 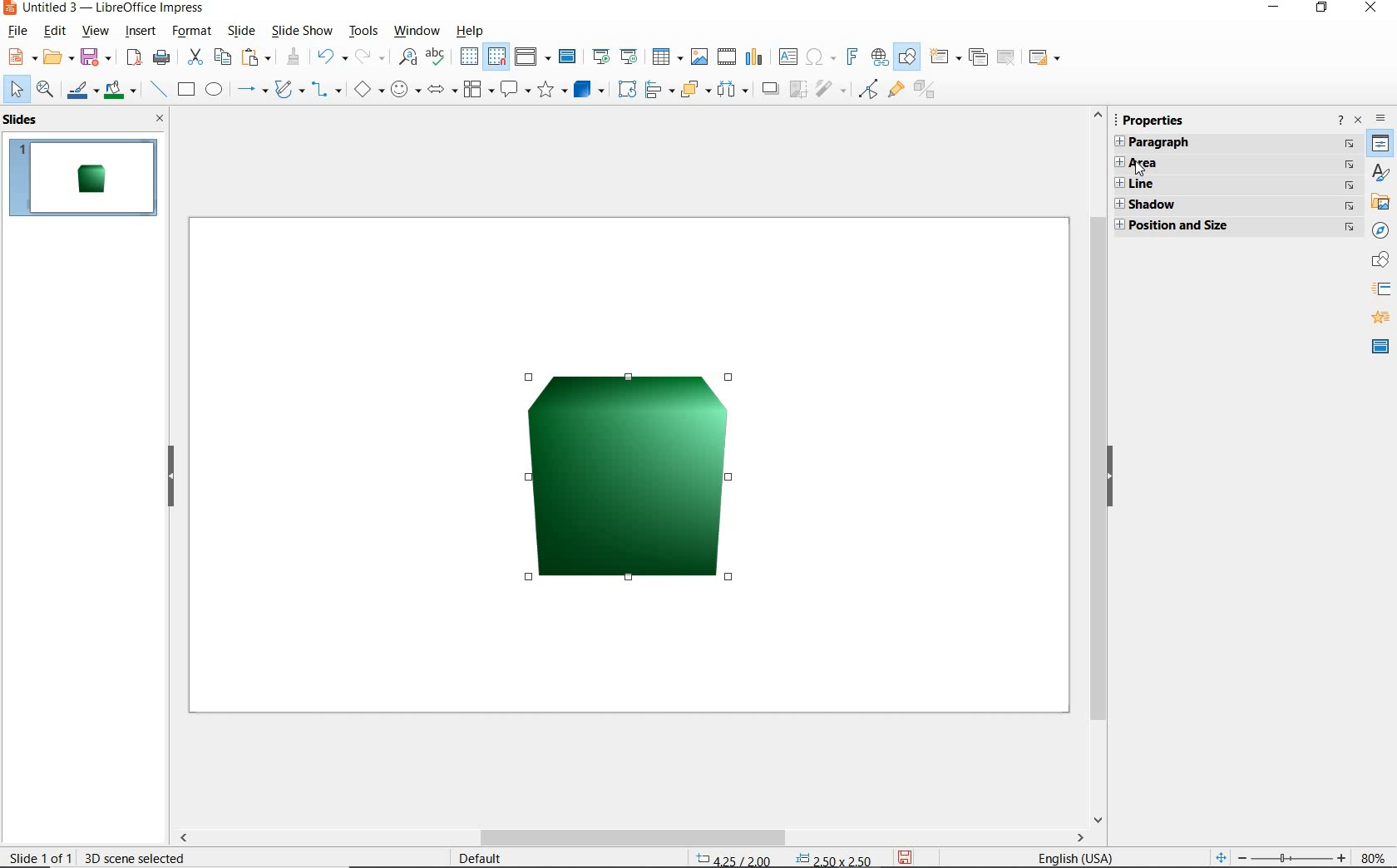 What do you see at coordinates (473, 32) in the screenshot?
I see `help` at bounding box center [473, 32].